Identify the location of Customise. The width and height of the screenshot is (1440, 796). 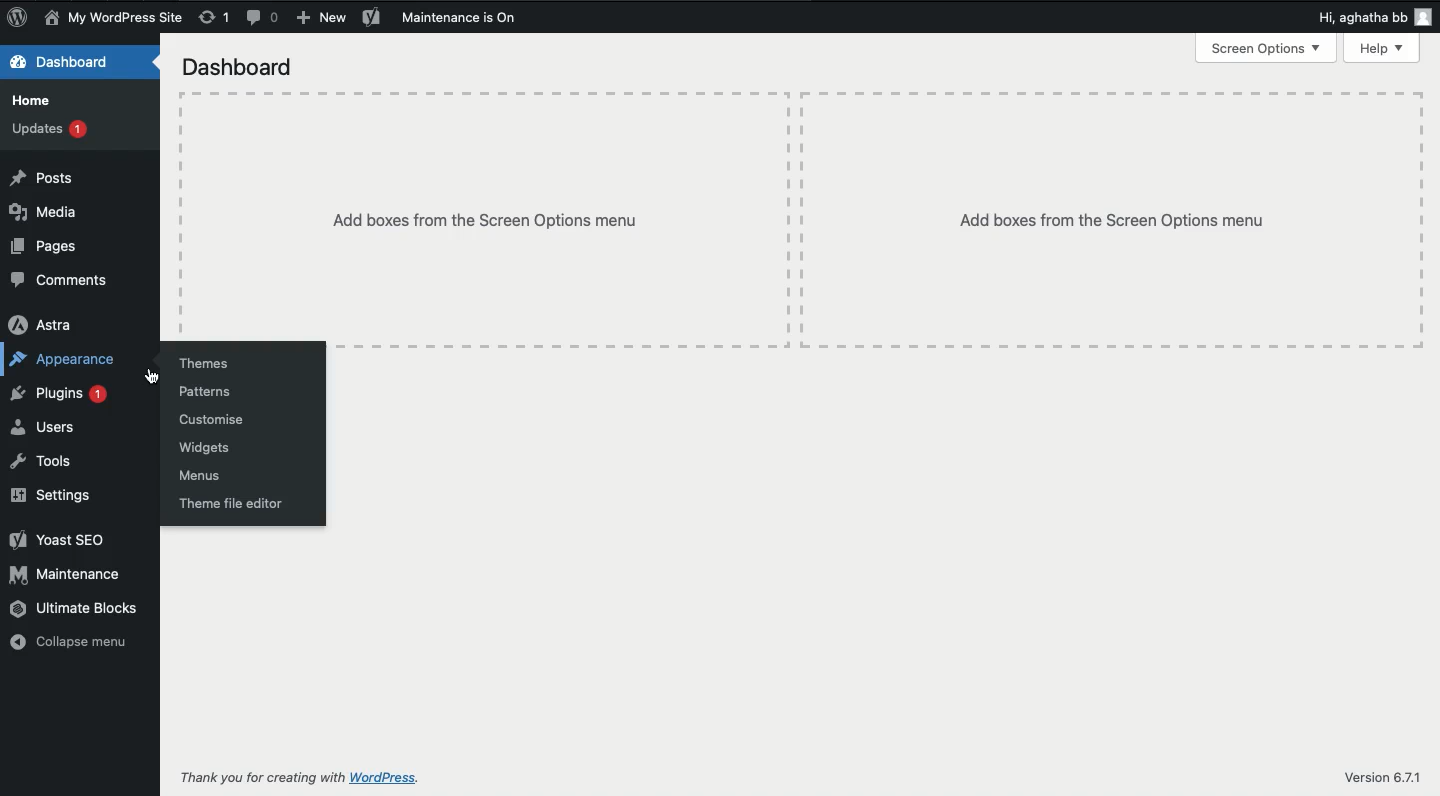
(212, 417).